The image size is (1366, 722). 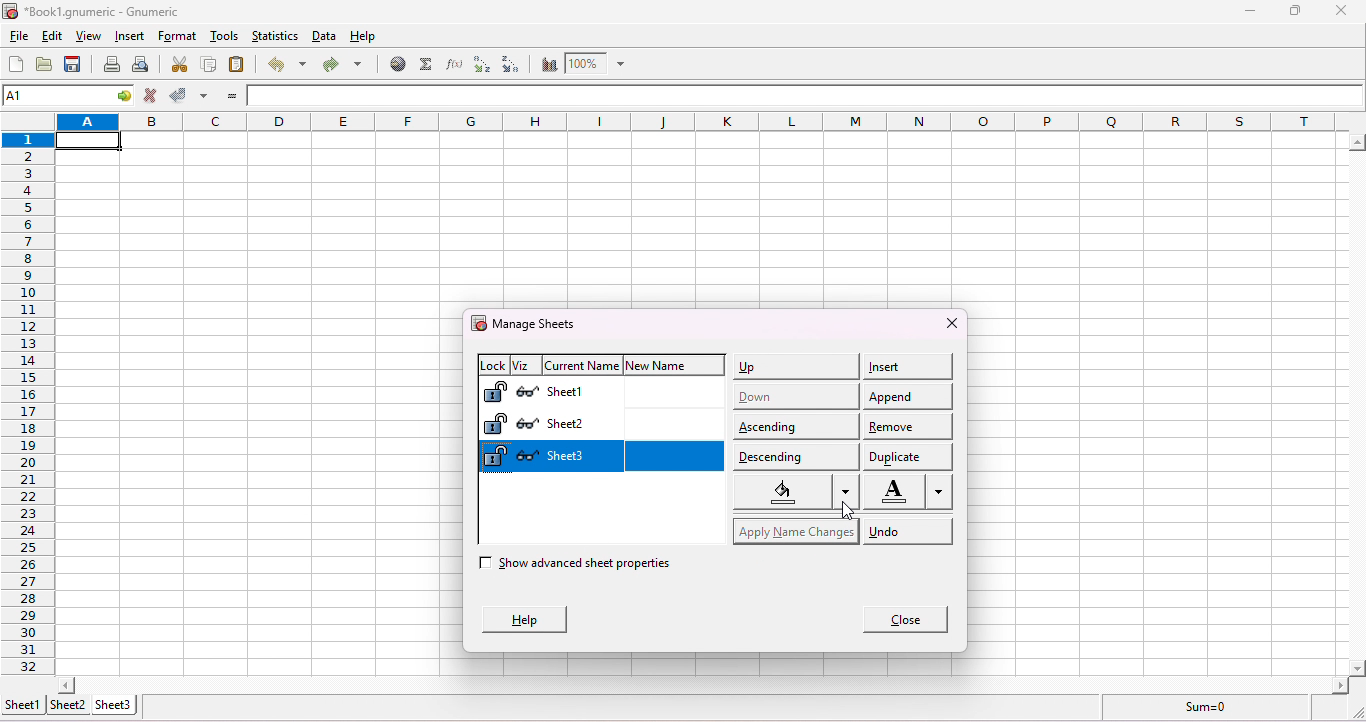 What do you see at coordinates (1348, 9) in the screenshot?
I see `close` at bounding box center [1348, 9].